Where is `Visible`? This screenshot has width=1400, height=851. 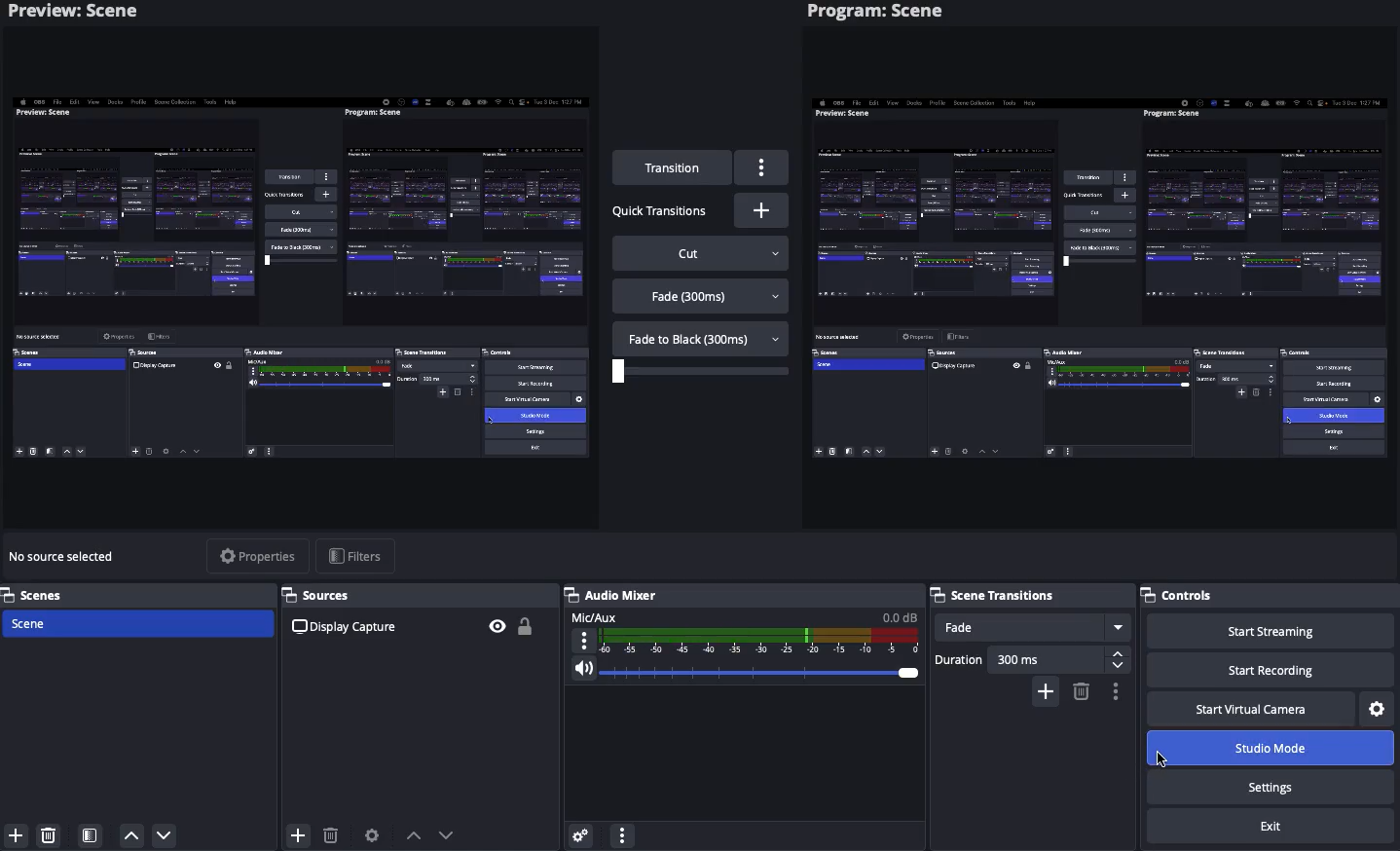
Visible is located at coordinates (498, 626).